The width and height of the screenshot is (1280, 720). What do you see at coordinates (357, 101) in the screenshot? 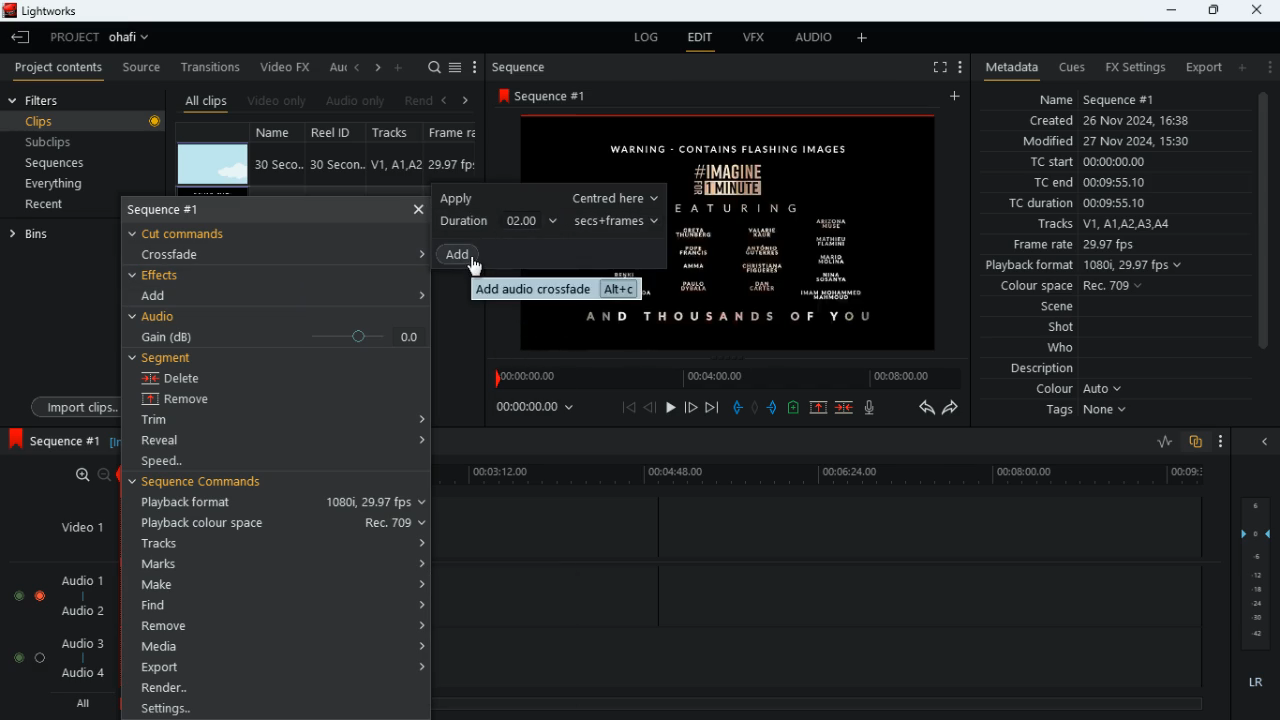
I see `audio only` at bounding box center [357, 101].